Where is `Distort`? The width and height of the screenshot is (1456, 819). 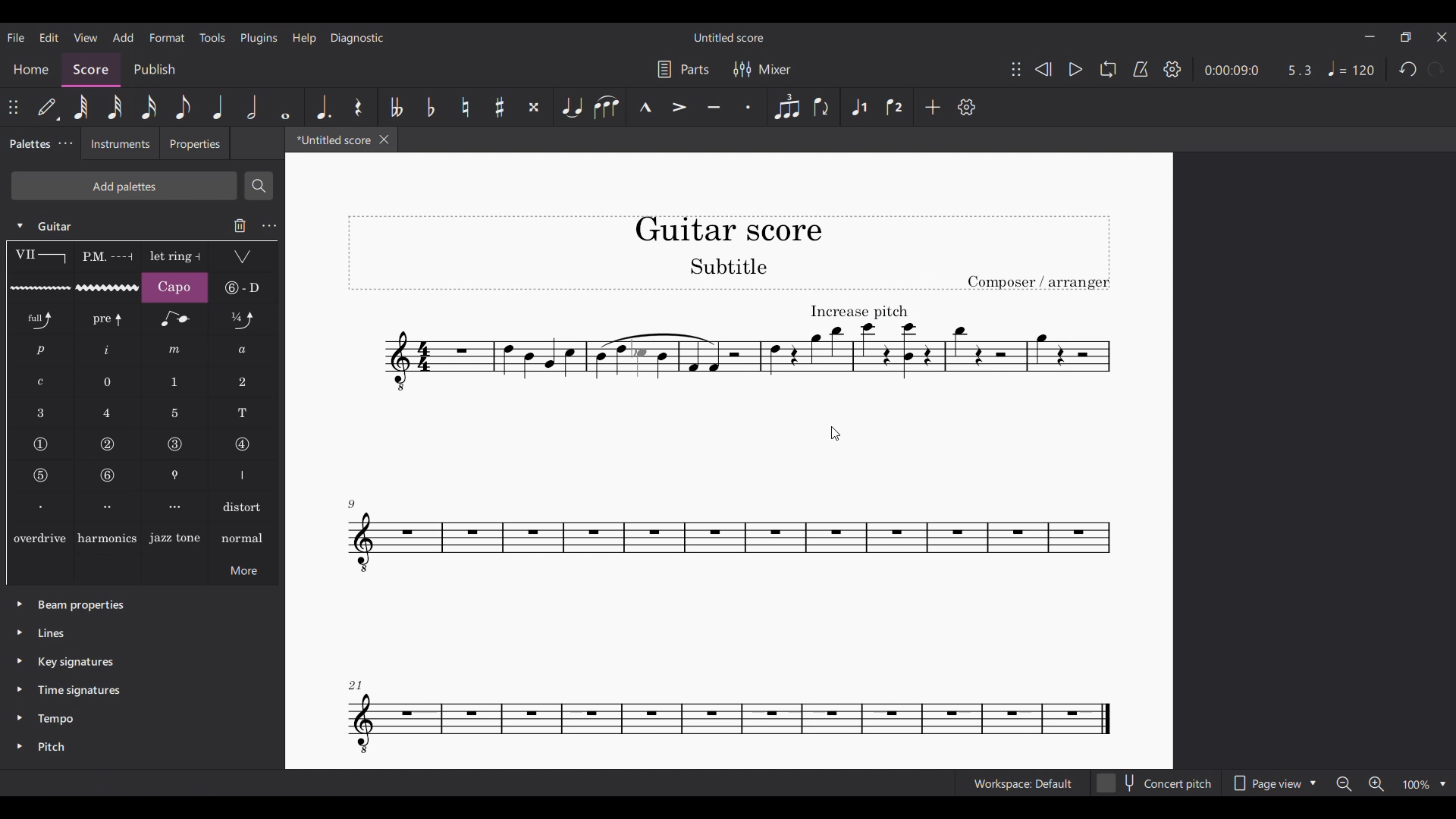 Distort is located at coordinates (244, 506).